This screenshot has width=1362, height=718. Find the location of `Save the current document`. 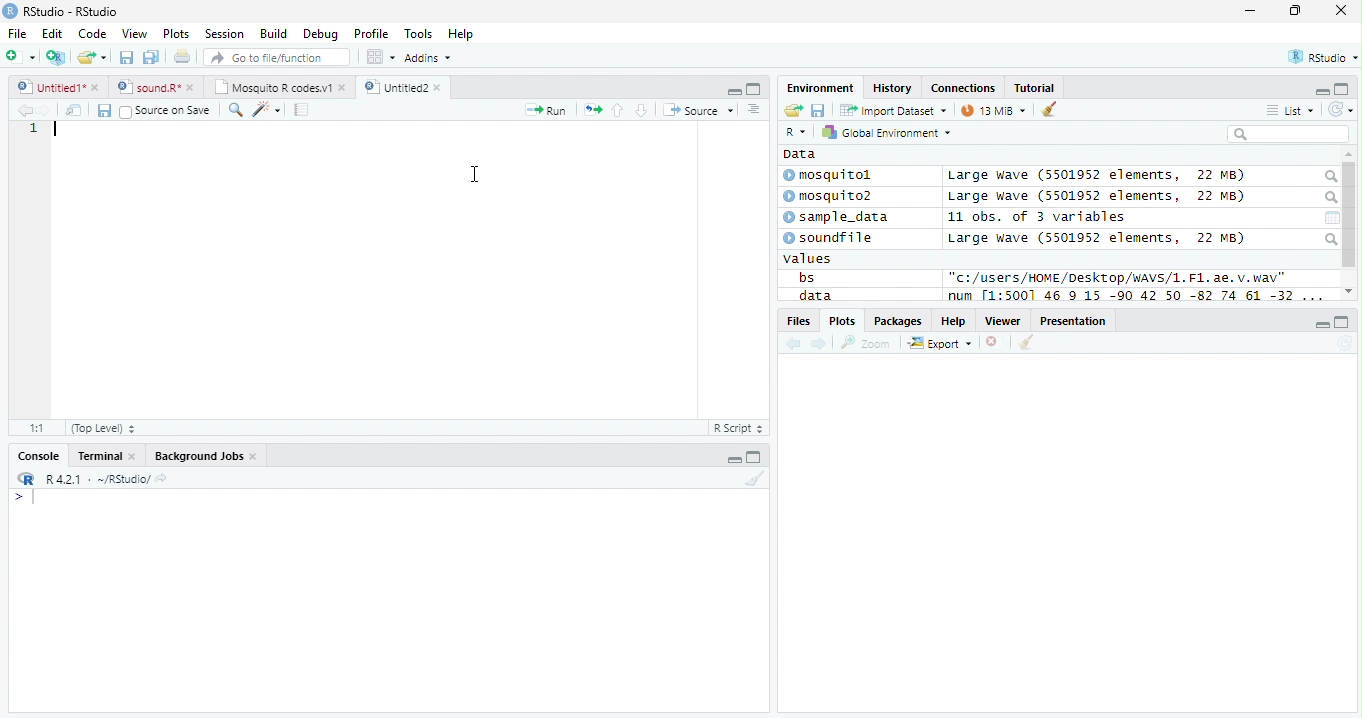

Save the current document is located at coordinates (126, 57).